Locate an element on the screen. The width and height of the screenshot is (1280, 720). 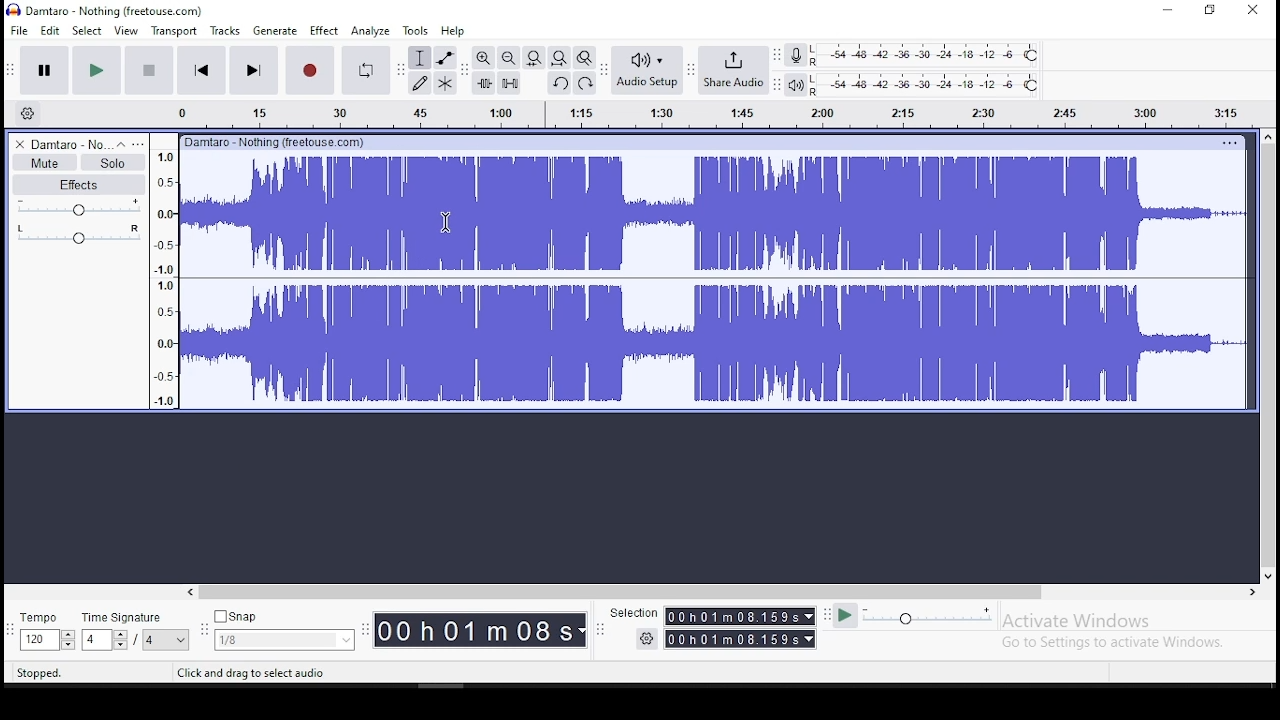
 is located at coordinates (600, 630).